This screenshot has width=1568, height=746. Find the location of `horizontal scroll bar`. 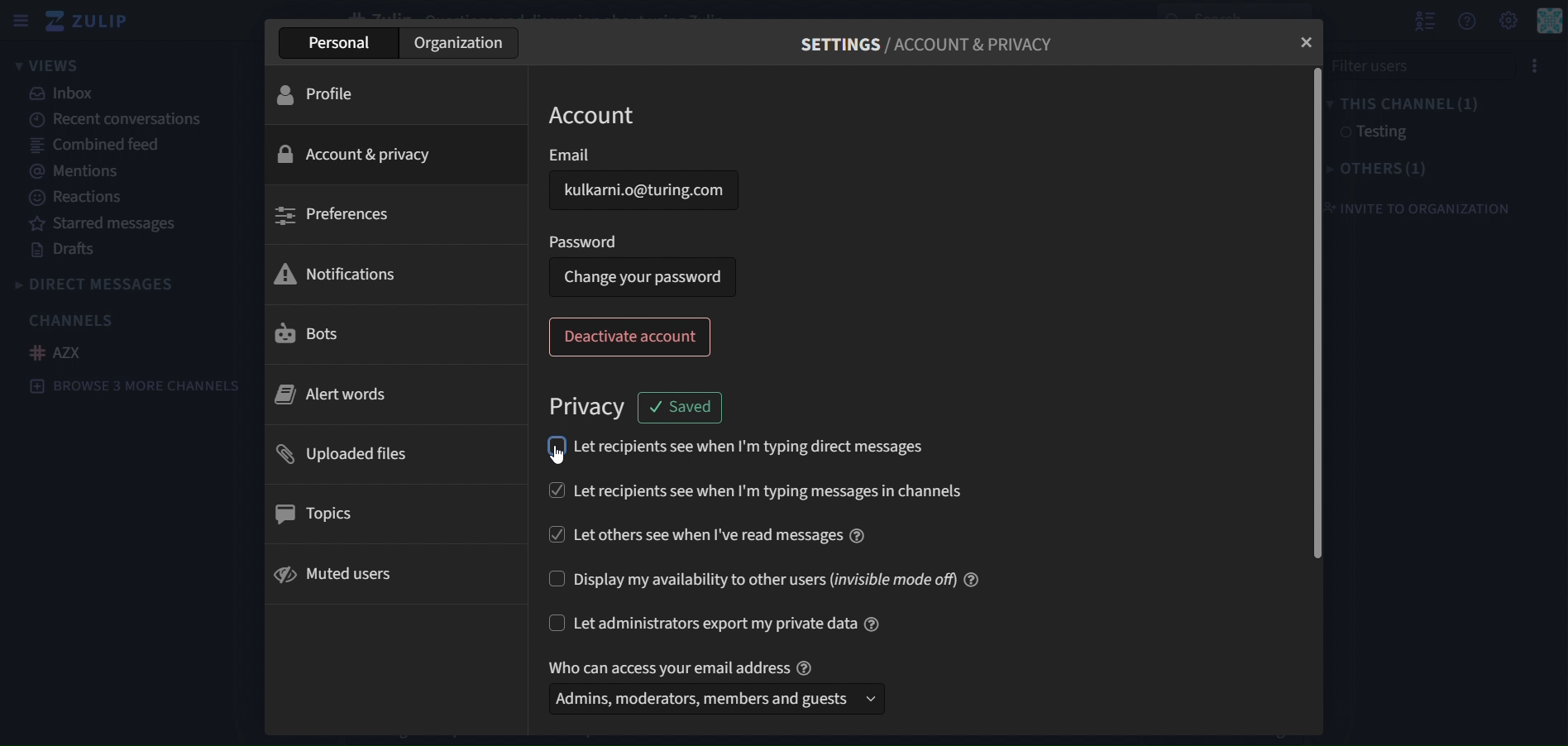

horizontal scroll bar is located at coordinates (1312, 318).